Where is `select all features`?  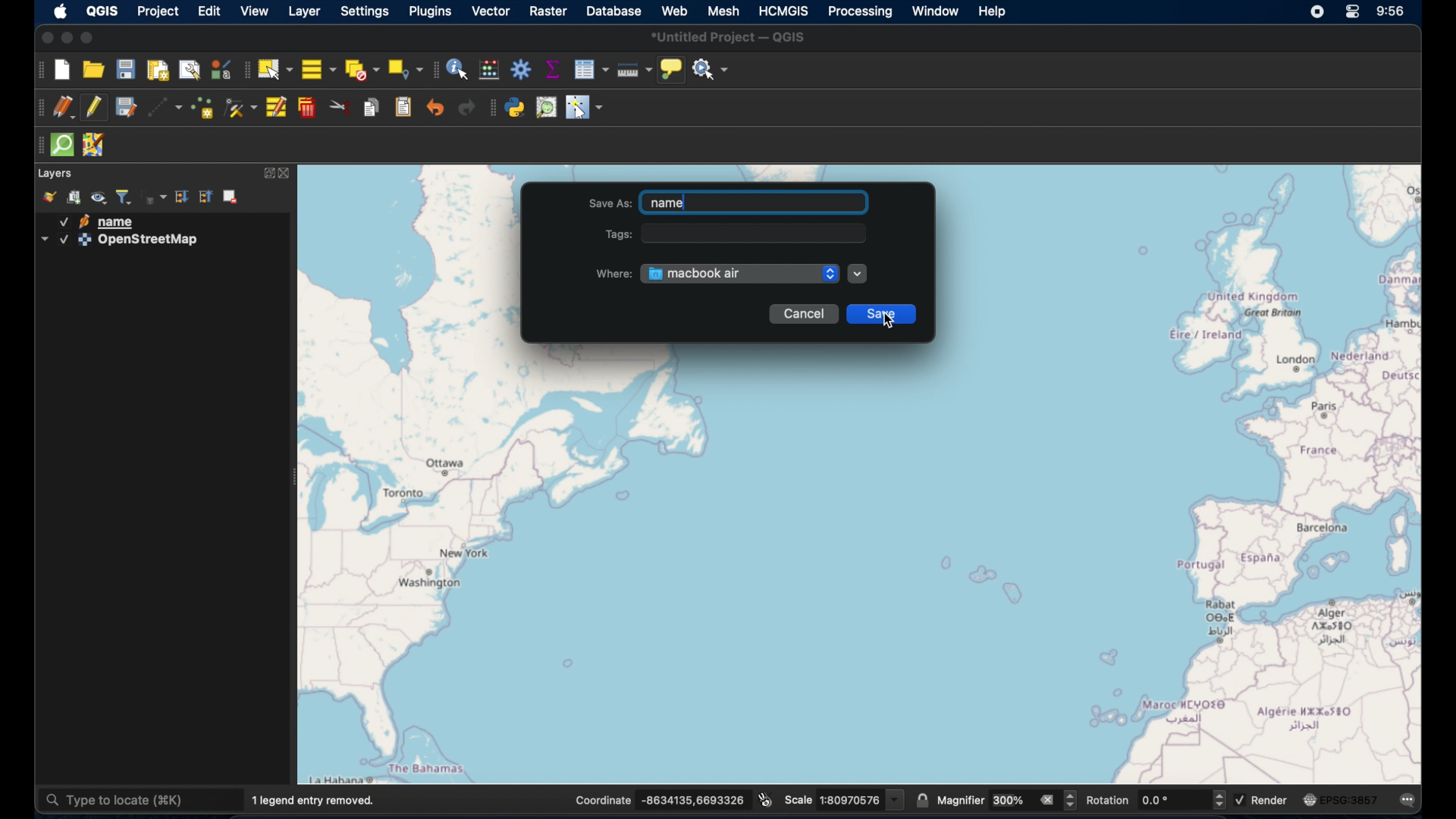 select all features is located at coordinates (318, 71).